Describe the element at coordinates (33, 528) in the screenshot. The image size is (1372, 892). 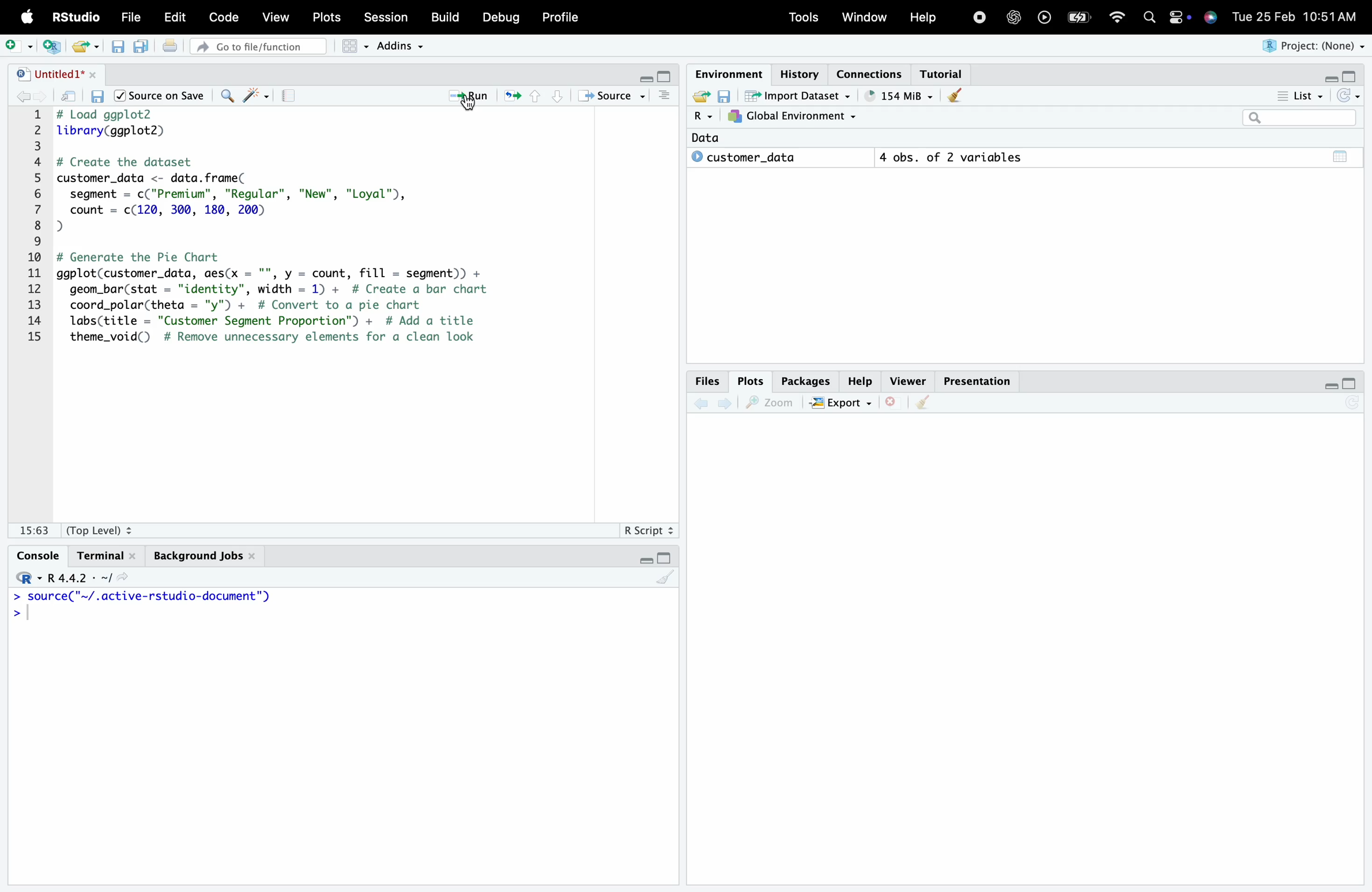
I see `1:1` at that location.